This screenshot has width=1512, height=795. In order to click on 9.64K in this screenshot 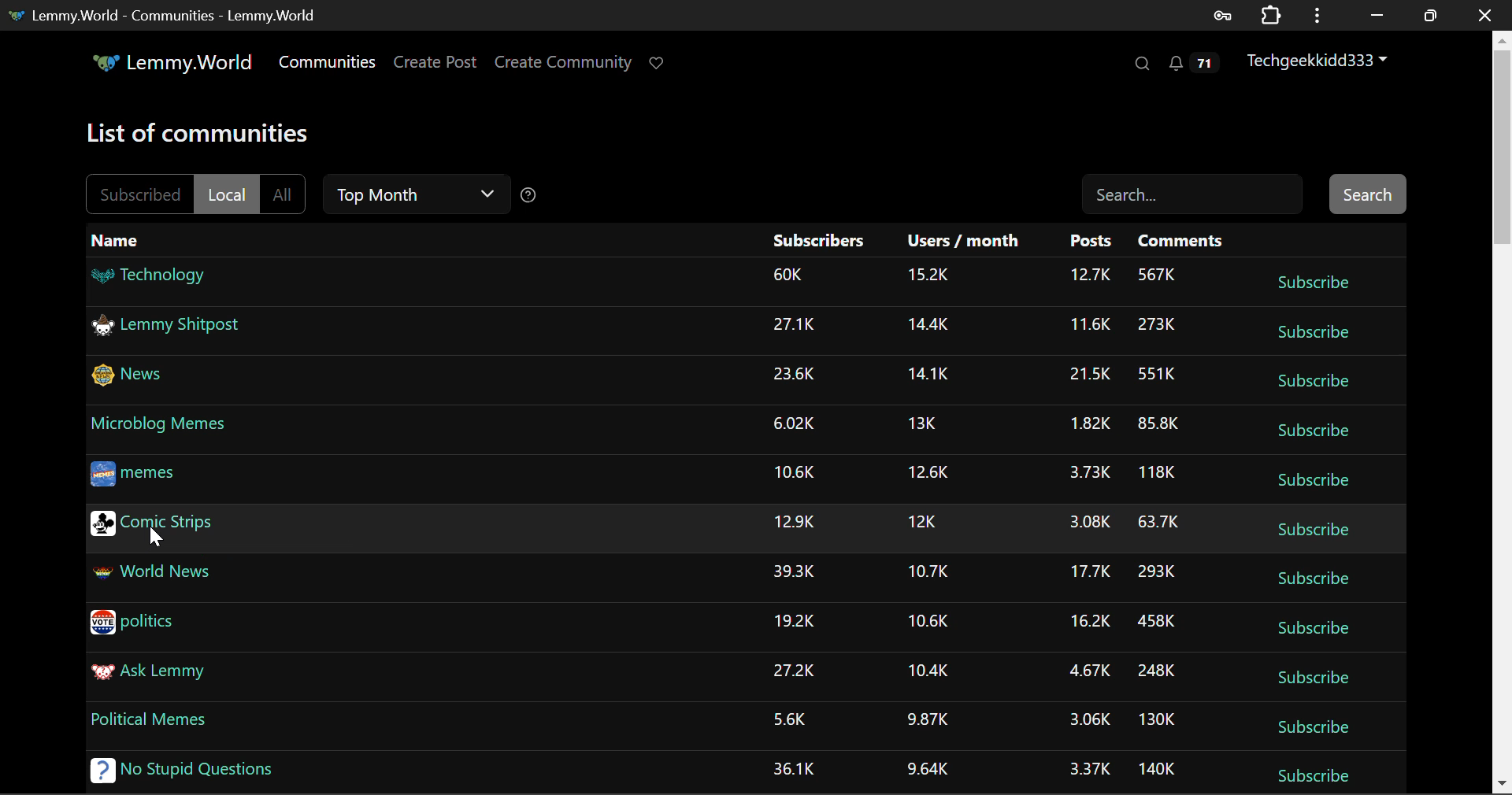, I will do `click(930, 769)`.